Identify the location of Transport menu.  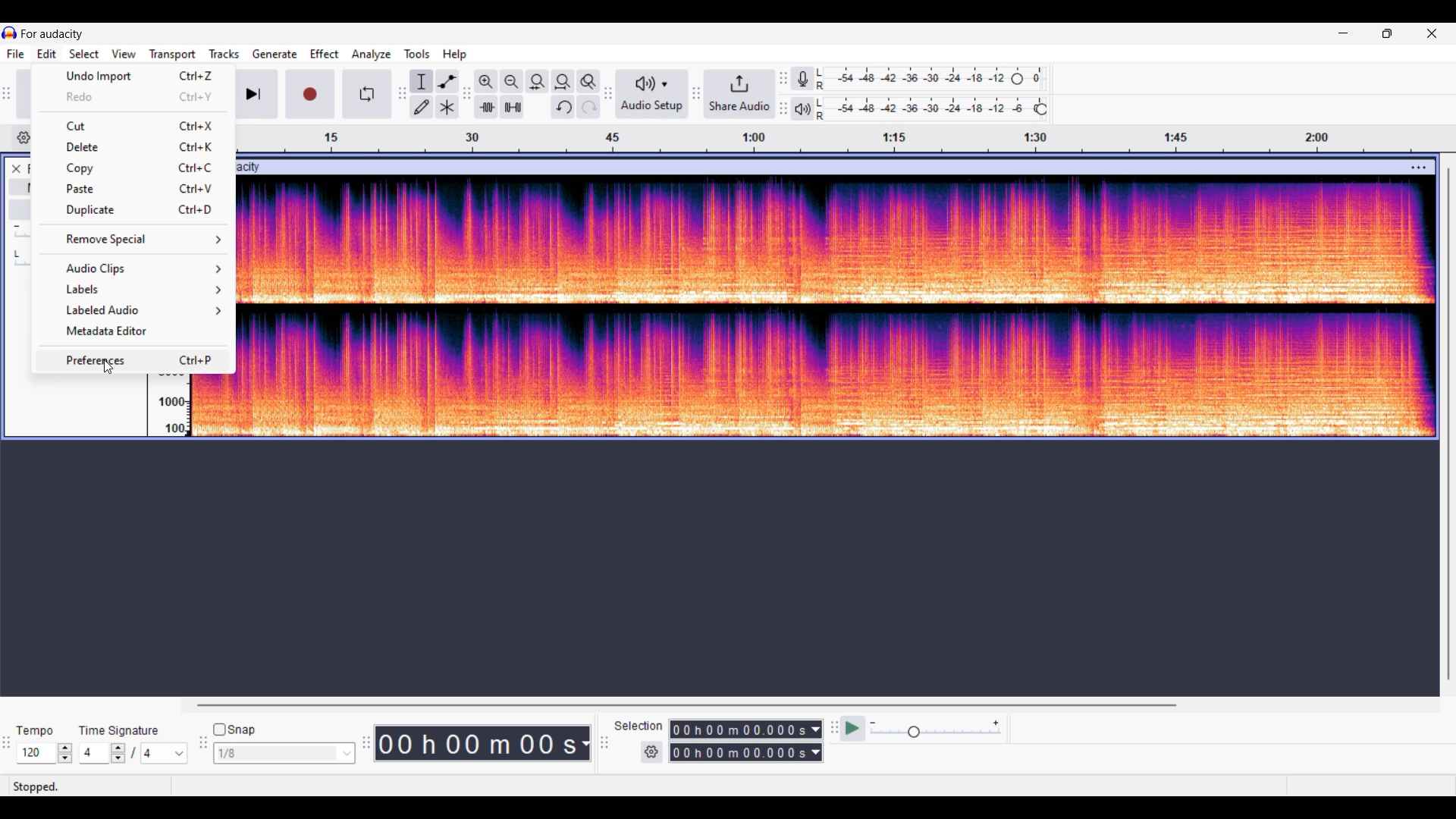
(173, 55).